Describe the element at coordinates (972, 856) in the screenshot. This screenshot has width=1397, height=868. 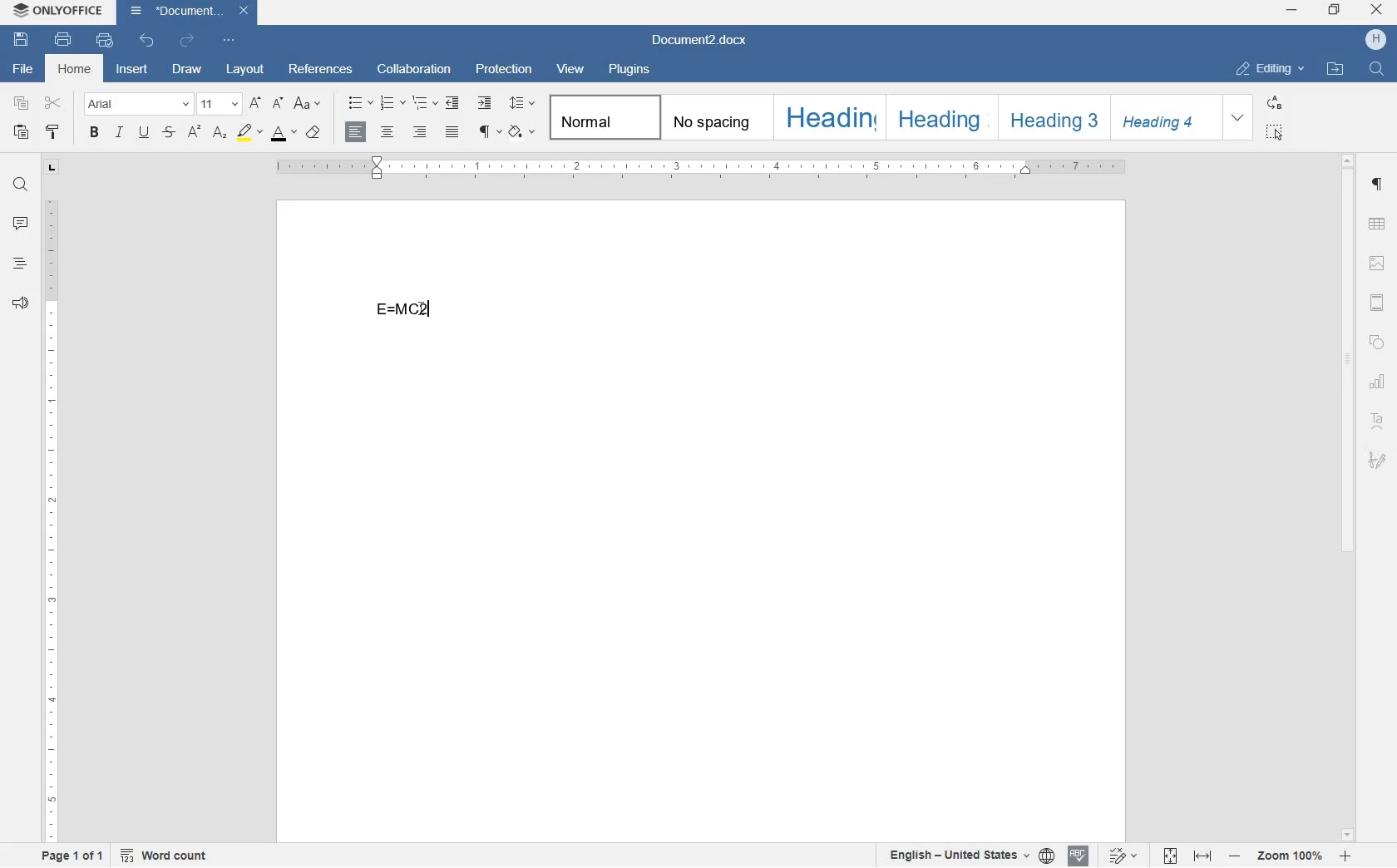
I see `text or document language` at that location.